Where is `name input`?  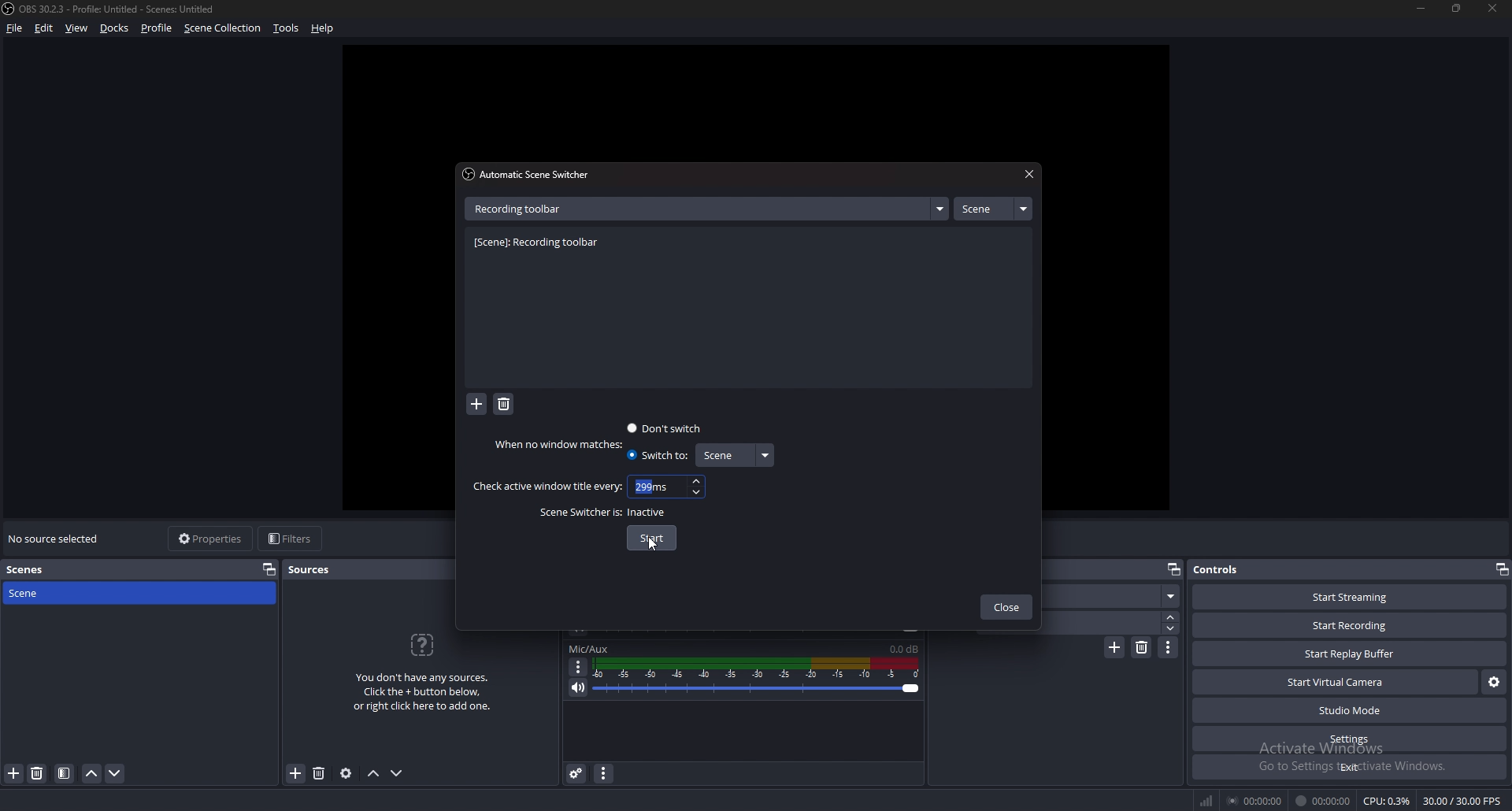
name input is located at coordinates (522, 208).